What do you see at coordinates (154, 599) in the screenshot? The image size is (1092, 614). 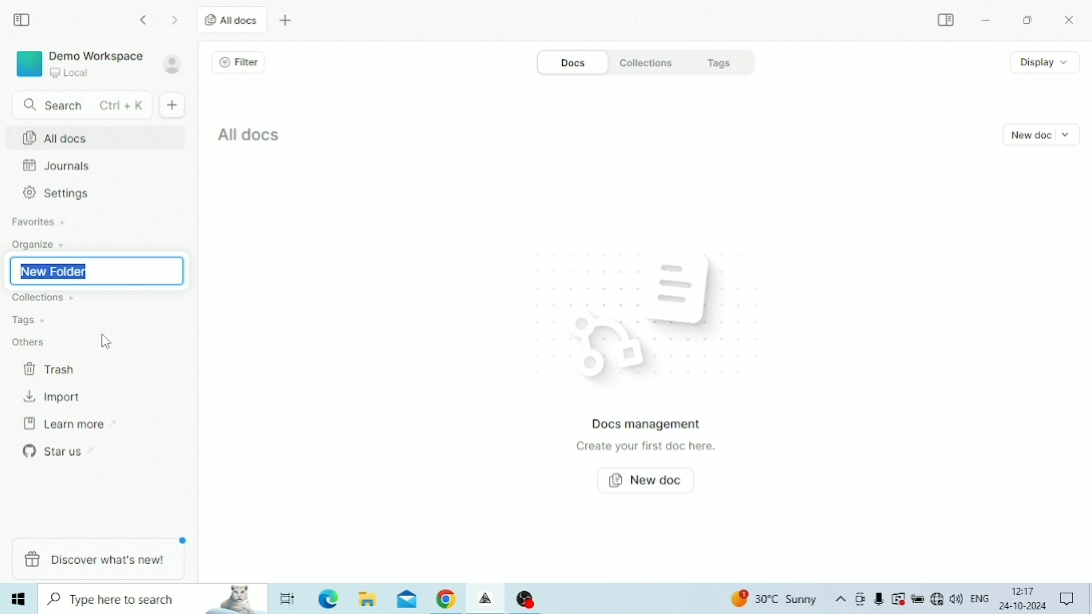 I see `Type here to search` at bounding box center [154, 599].